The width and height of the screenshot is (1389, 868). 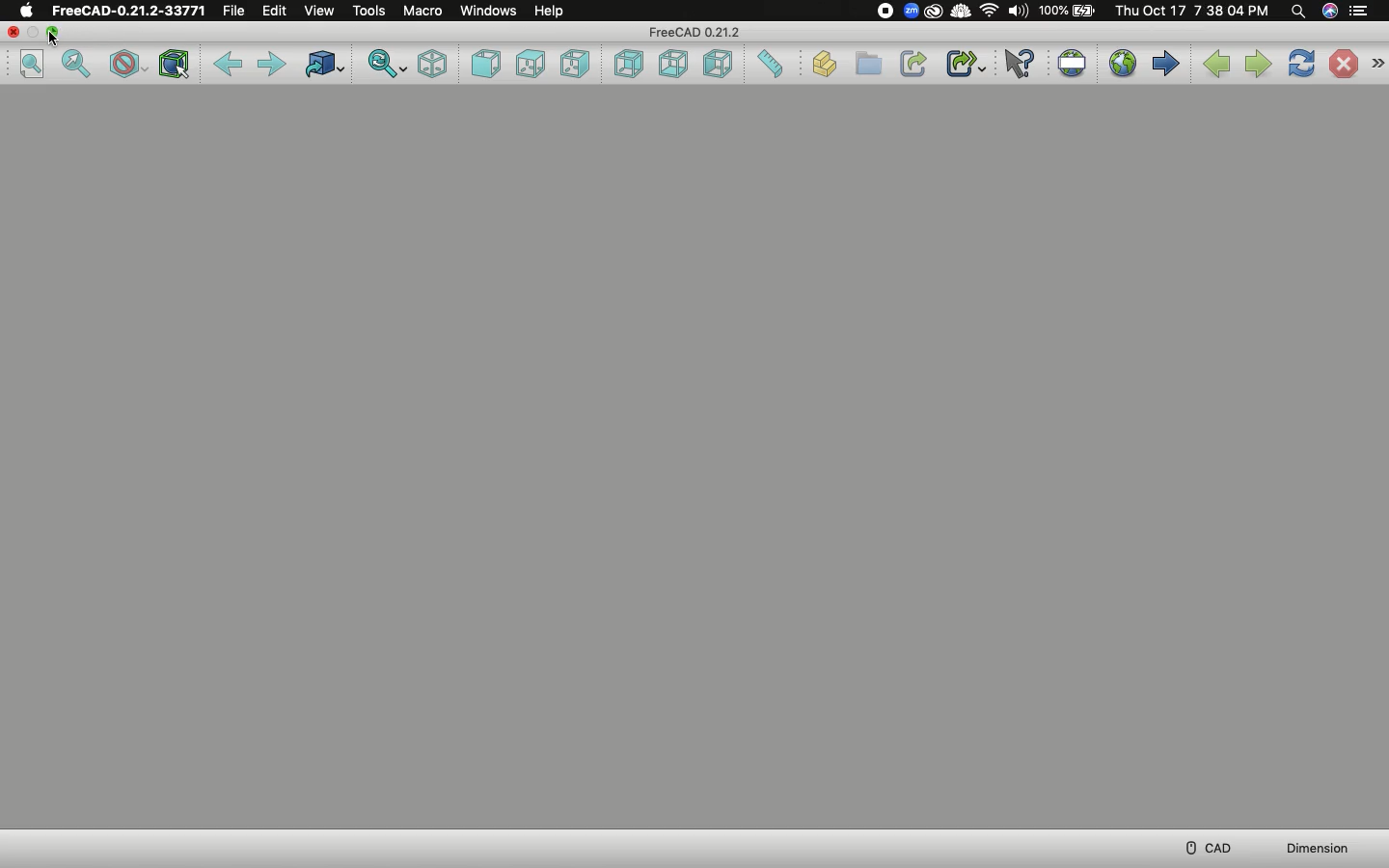 I want to click on Sound, so click(x=1023, y=10).